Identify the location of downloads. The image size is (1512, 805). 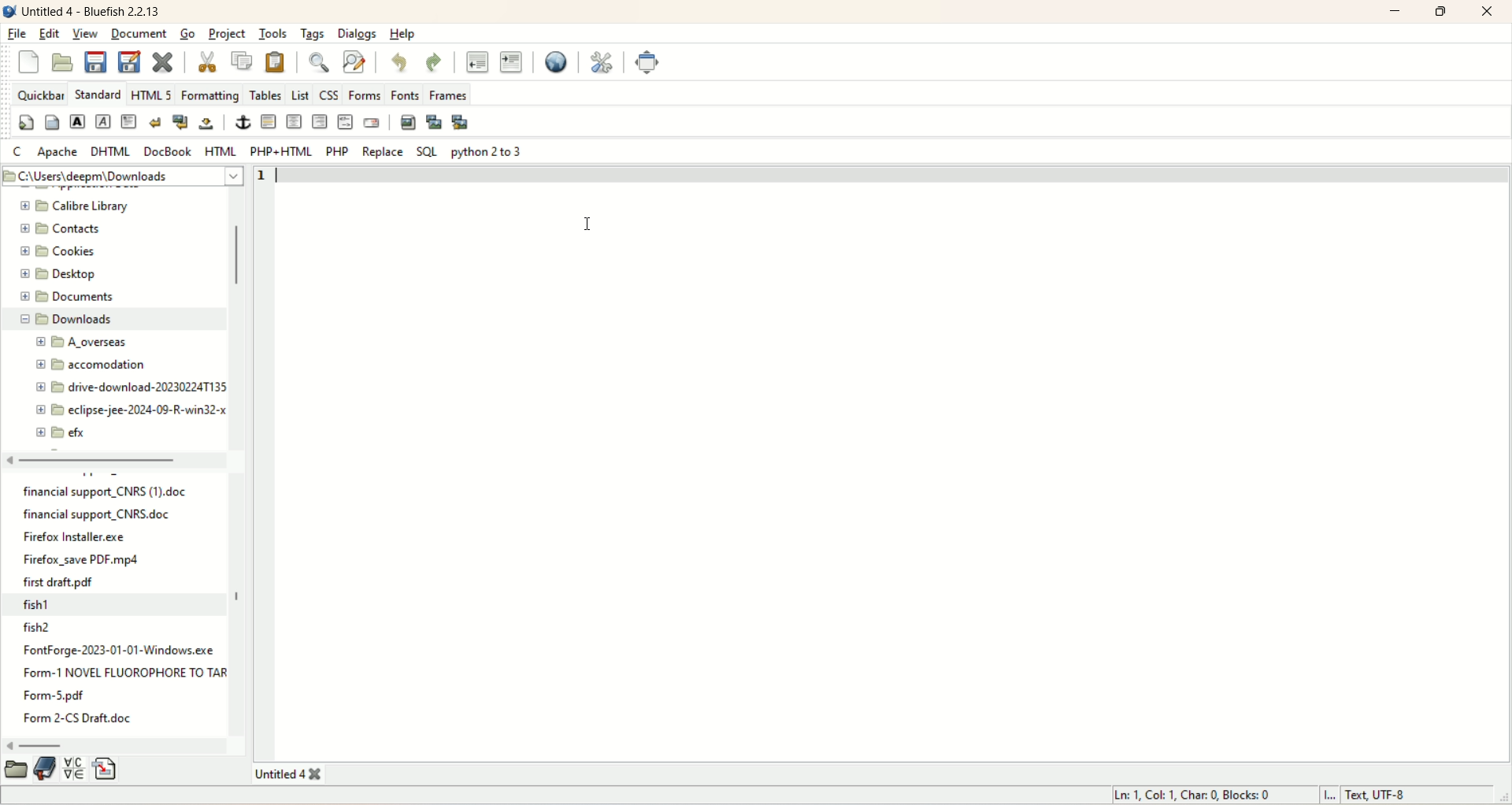
(107, 320).